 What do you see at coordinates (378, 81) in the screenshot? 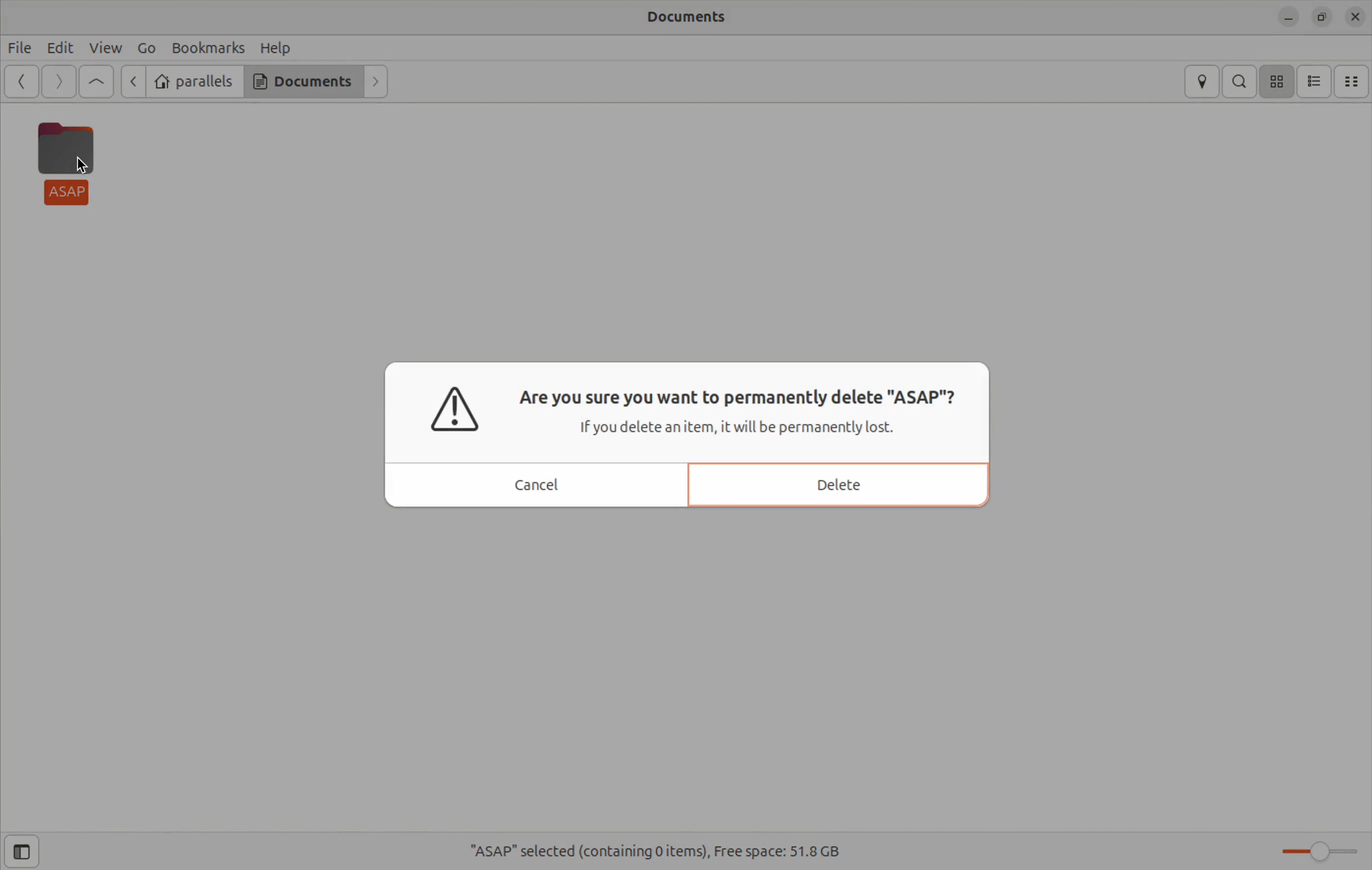
I see `forward` at bounding box center [378, 81].